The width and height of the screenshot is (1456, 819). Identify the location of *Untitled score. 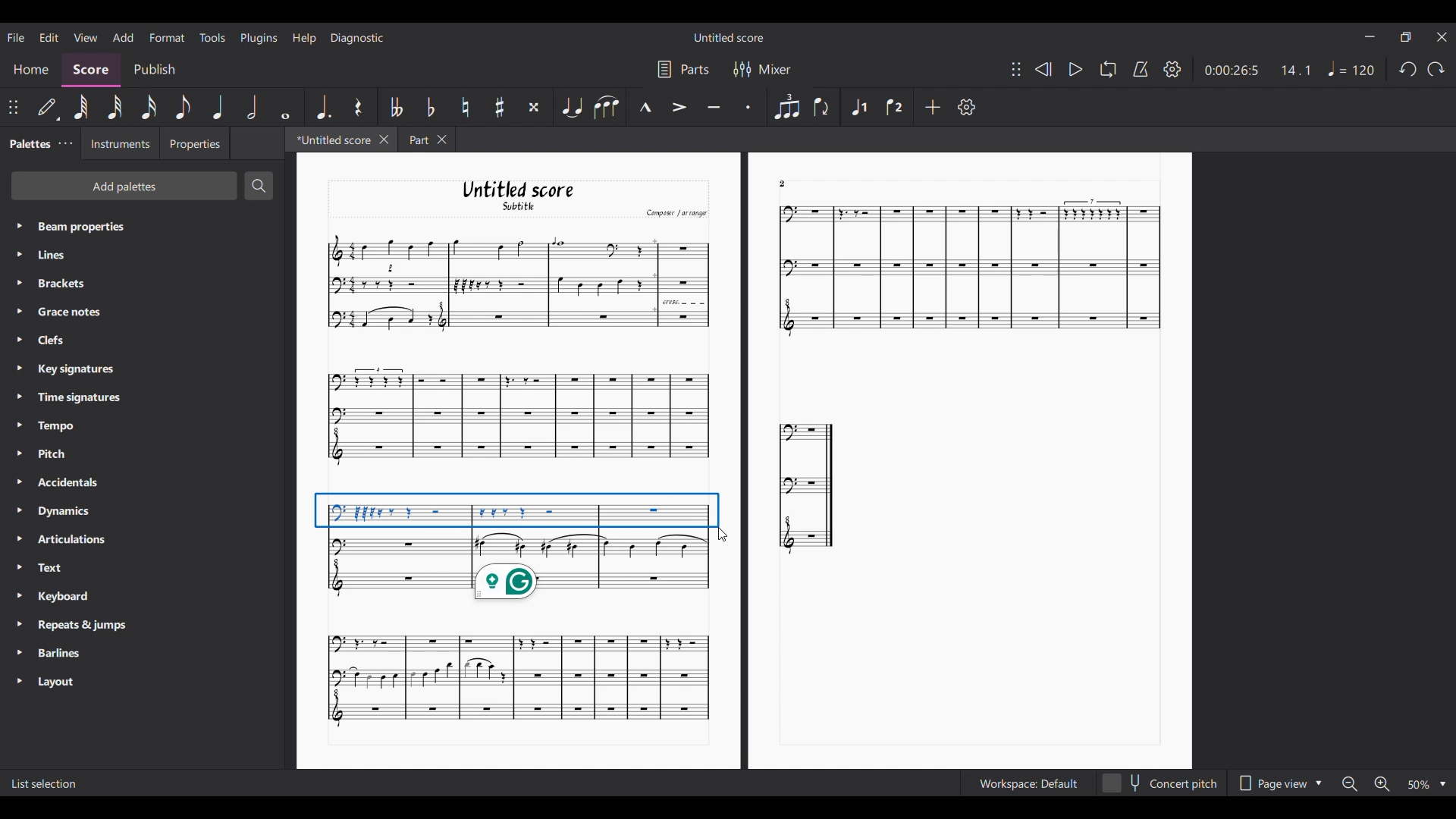
(328, 139).